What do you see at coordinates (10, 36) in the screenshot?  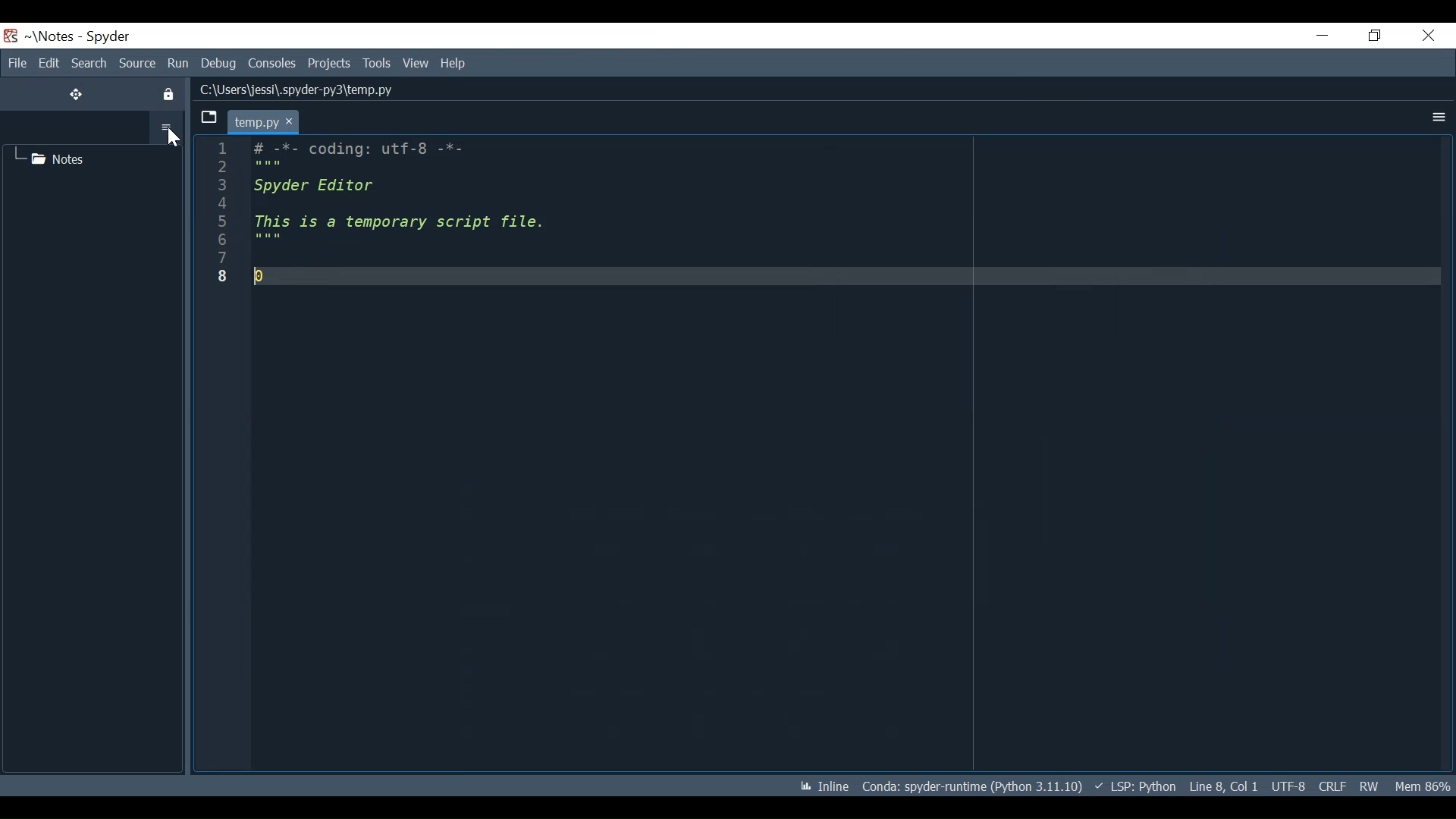 I see `Spyder Desktop Icon` at bounding box center [10, 36].